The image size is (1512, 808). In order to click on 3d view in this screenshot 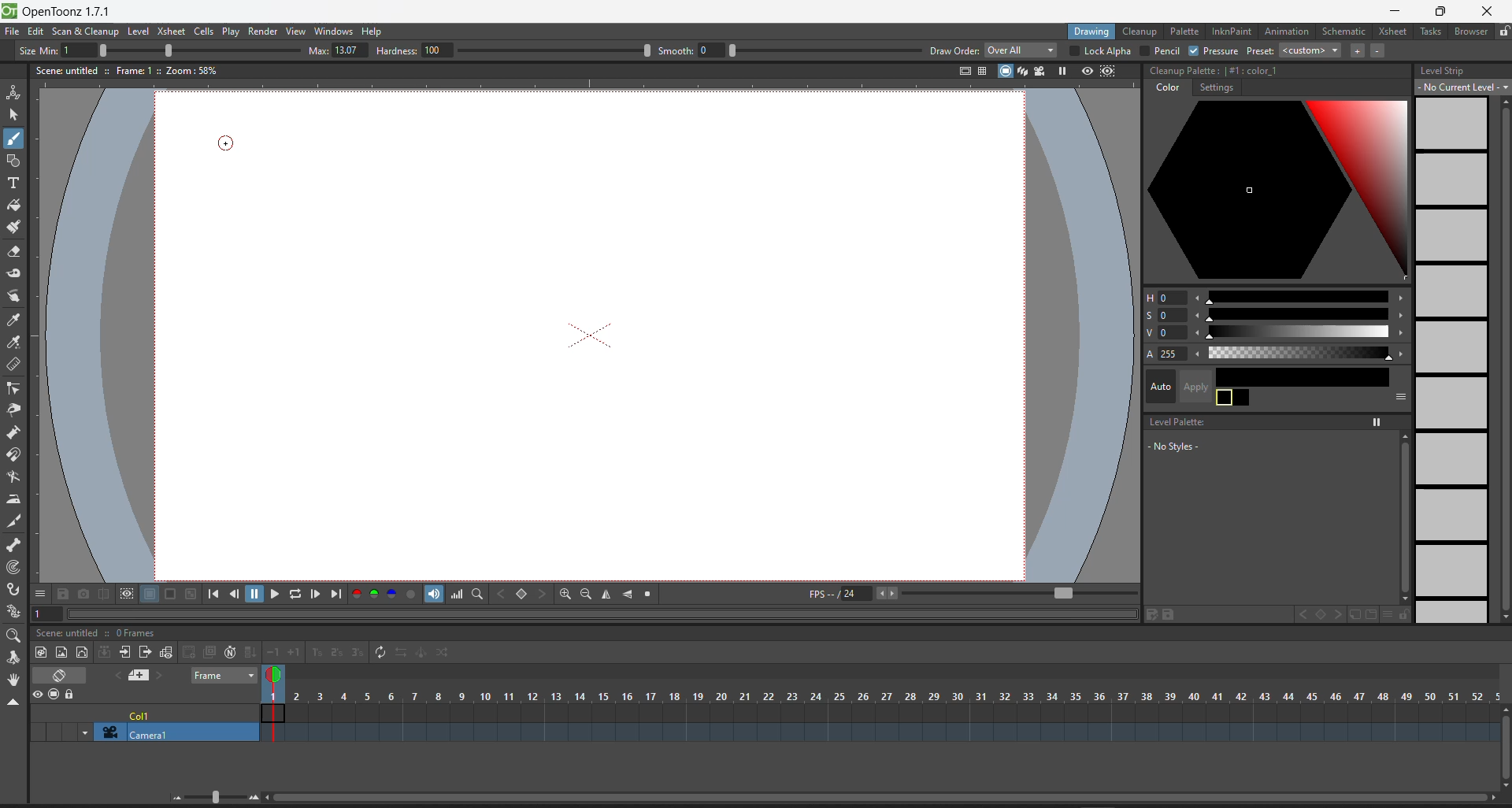, I will do `click(1021, 69)`.